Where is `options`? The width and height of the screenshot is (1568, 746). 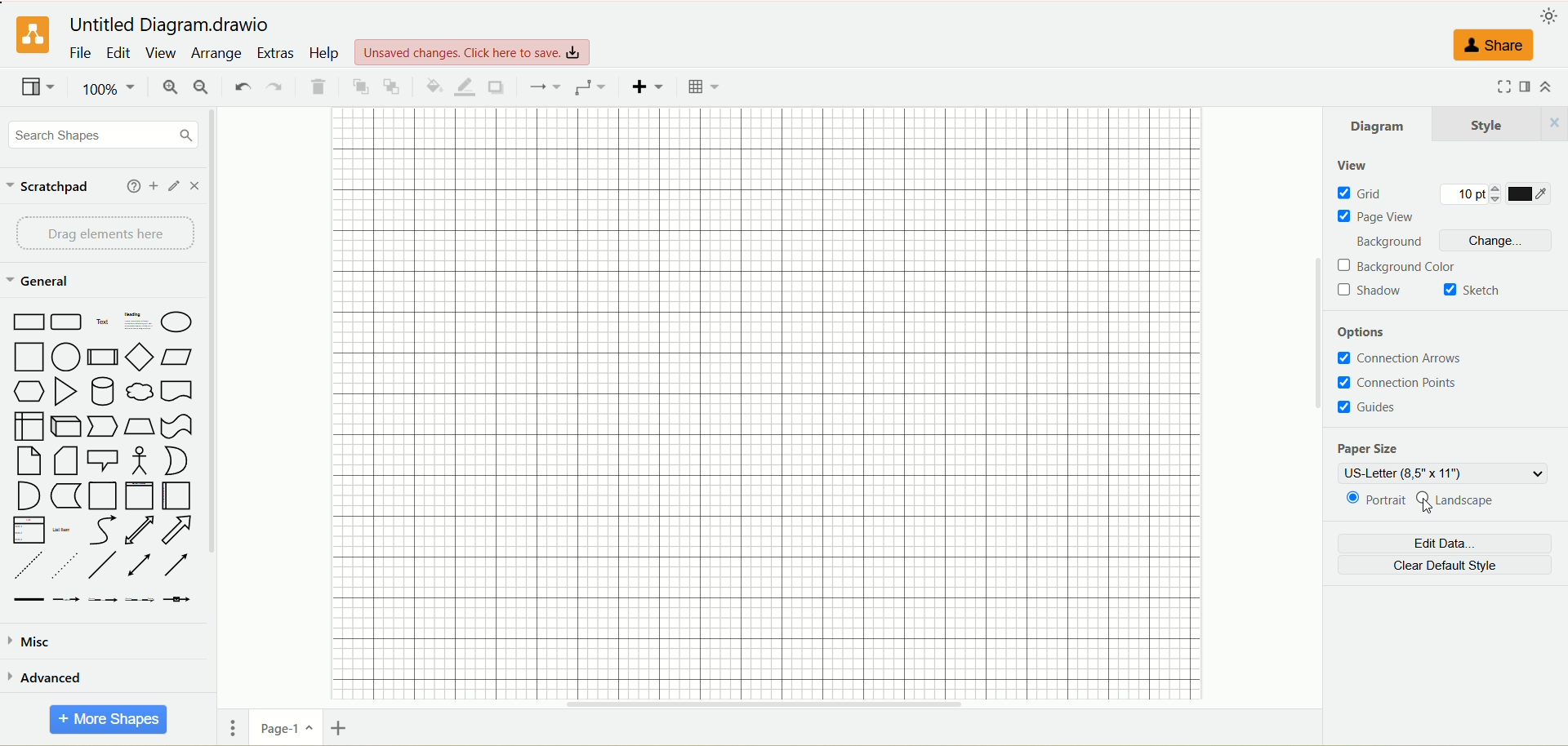
options is located at coordinates (1366, 333).